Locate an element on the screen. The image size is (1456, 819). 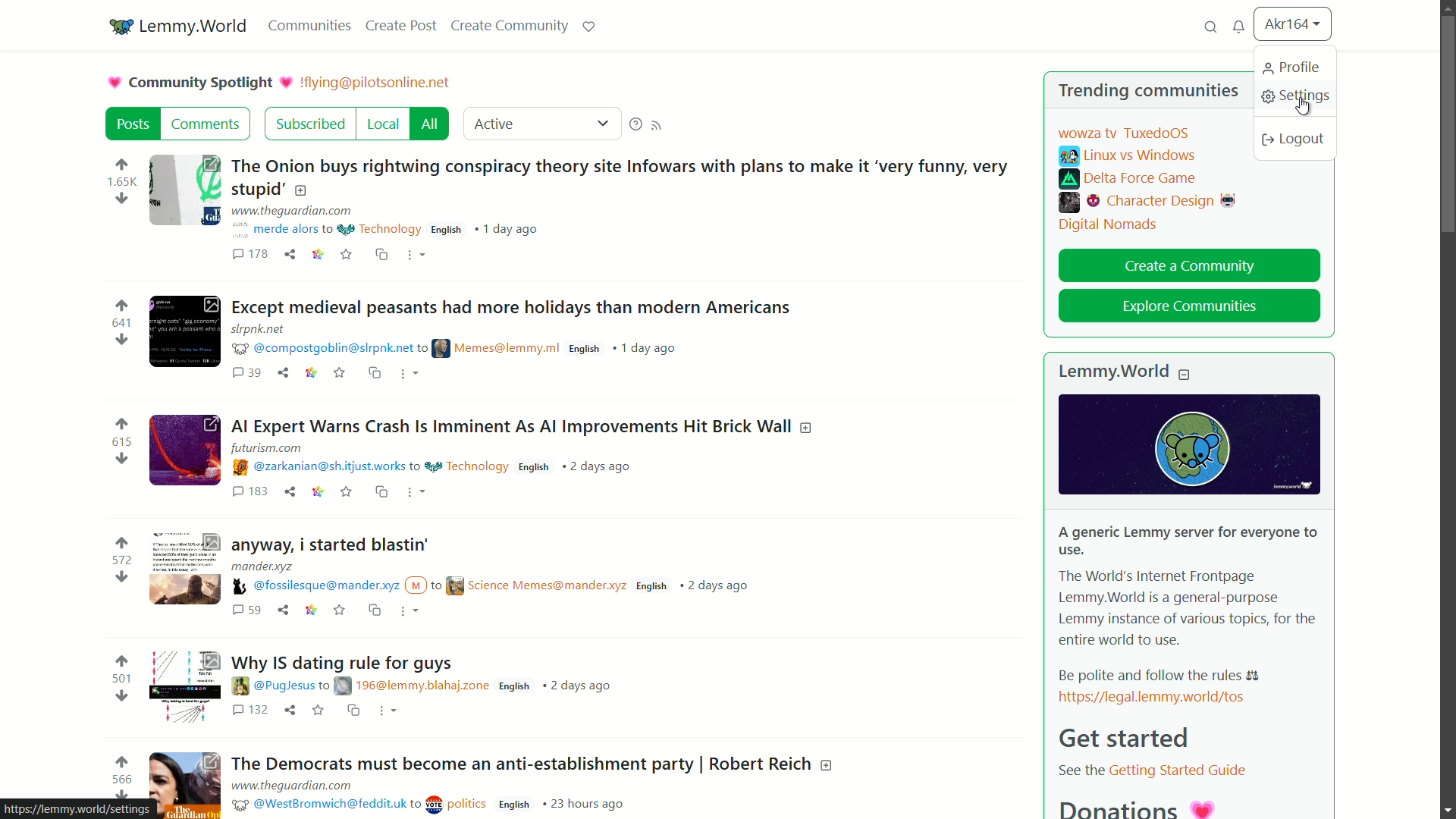
share is located at coordinates (290, 491).